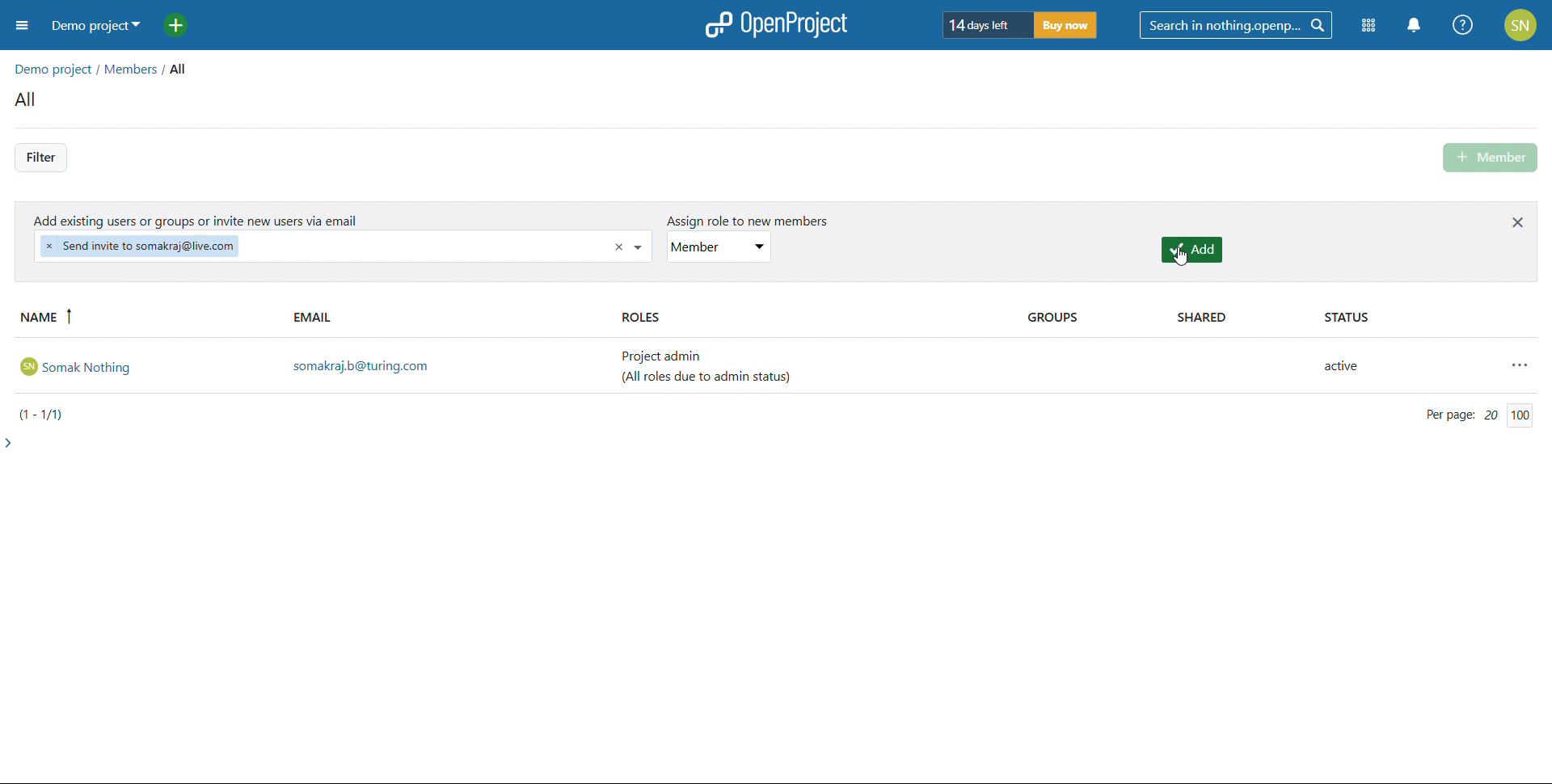 The image size is (1552, 784). Describe the element at coordinates (46, 414) in the screenshot. I see `(1-1/1)` at that location.